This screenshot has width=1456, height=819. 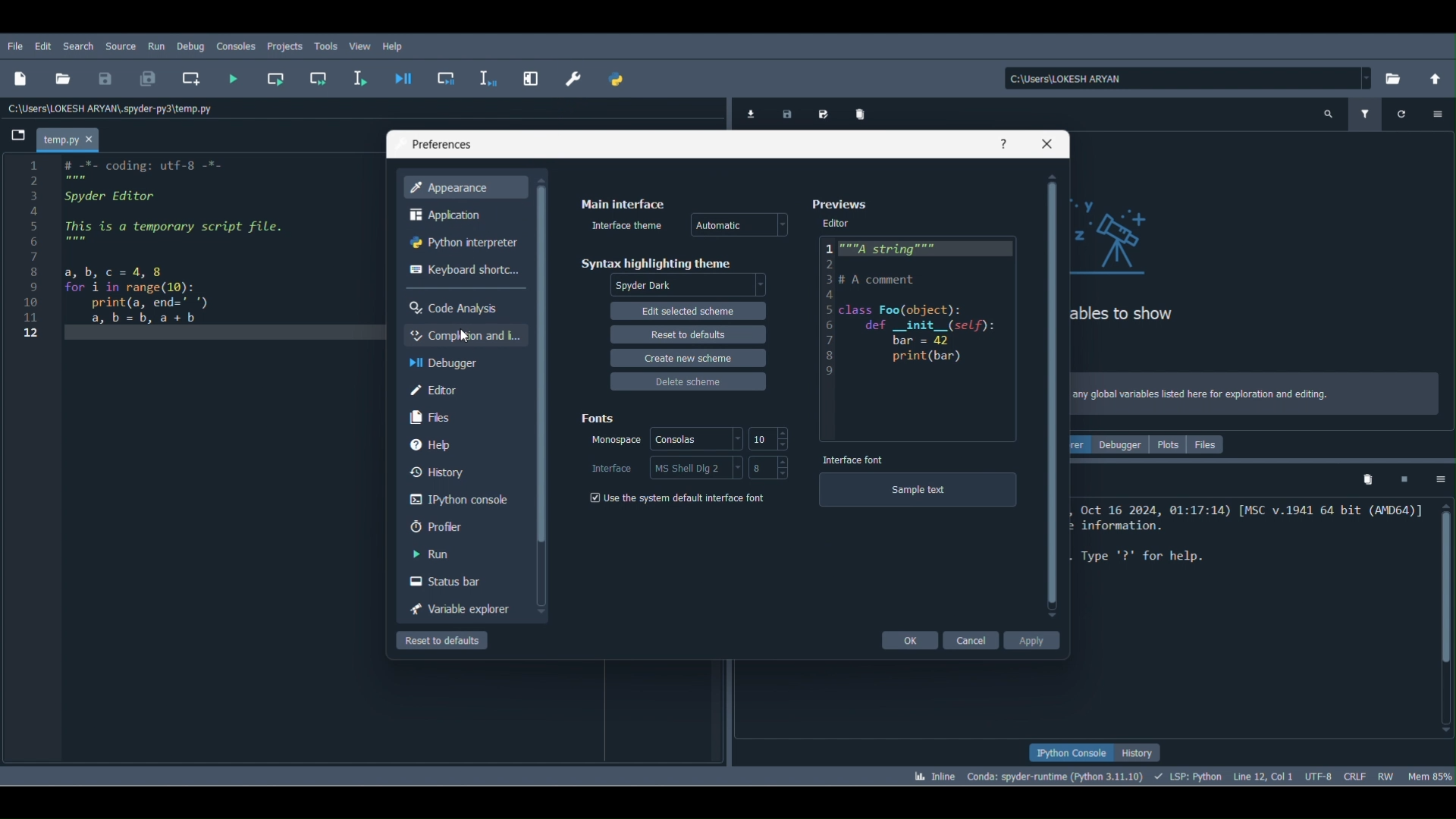 I want to click on Change to parent directory, so click(x=1432, y=80).